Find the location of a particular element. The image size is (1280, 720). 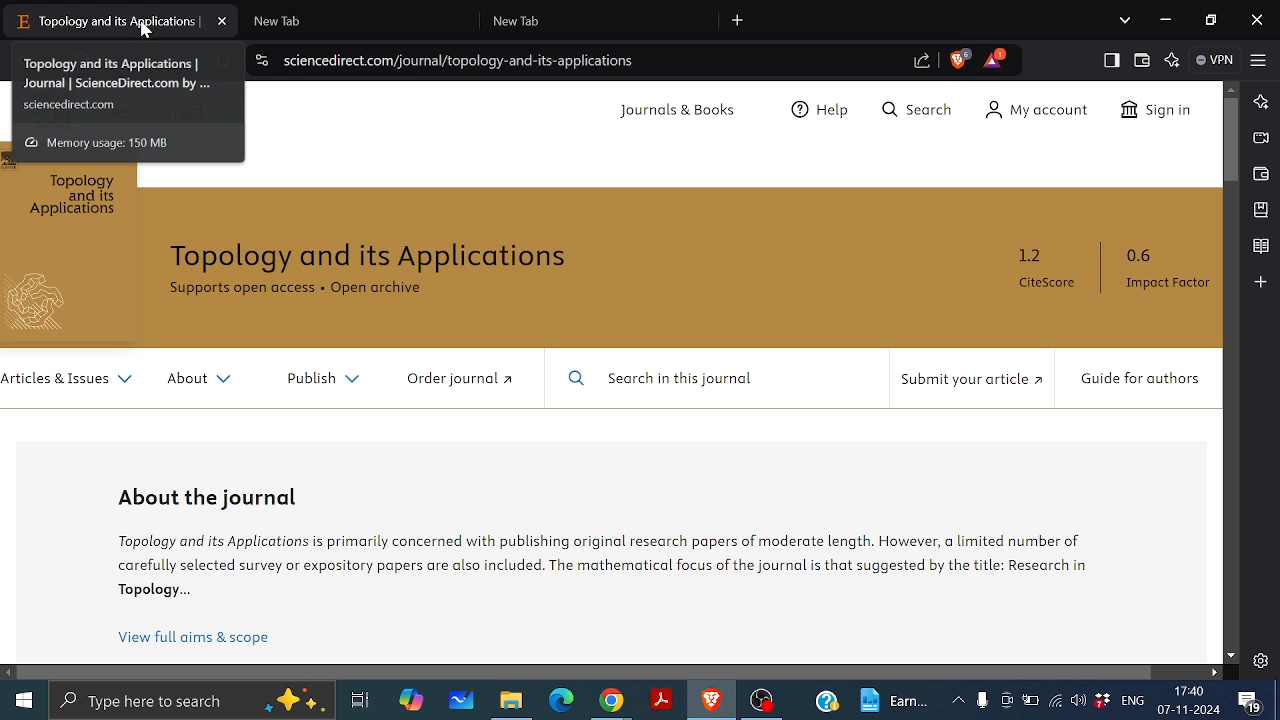

Start is located at coordinates (24, 699).